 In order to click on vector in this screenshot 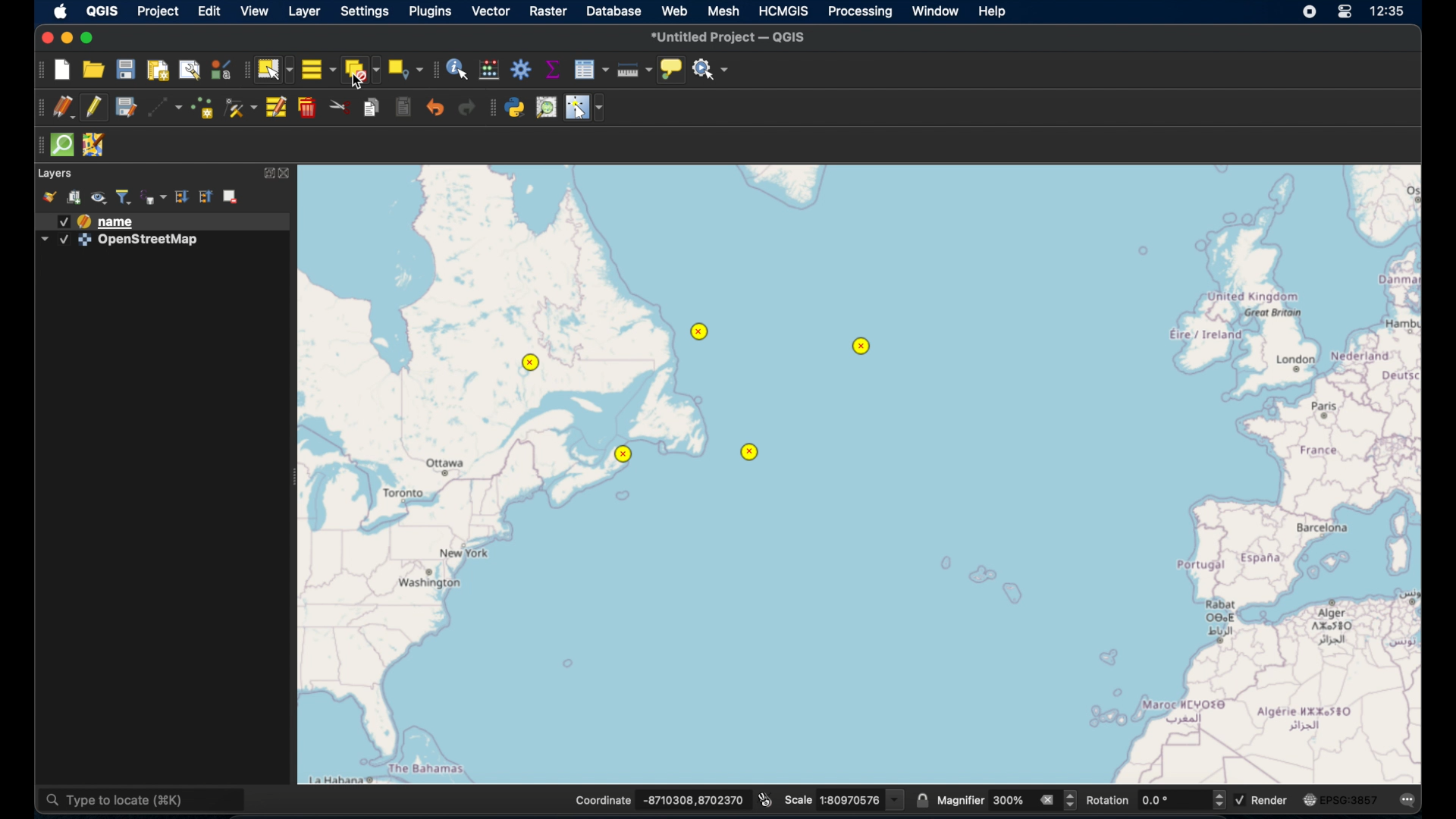, I will do `click(491, 13)`.